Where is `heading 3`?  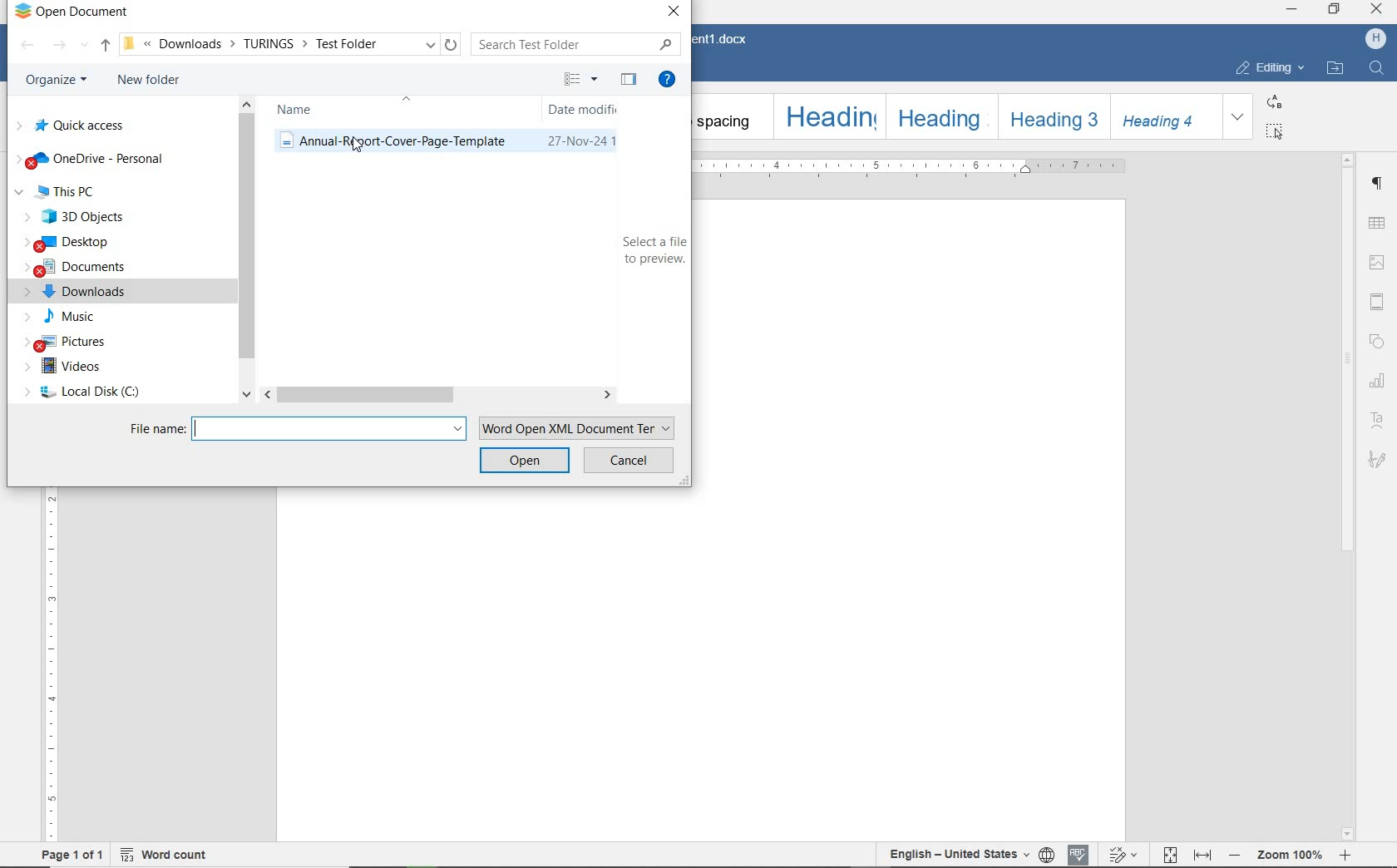
heading 3 is located at coordinates (1052, 116).